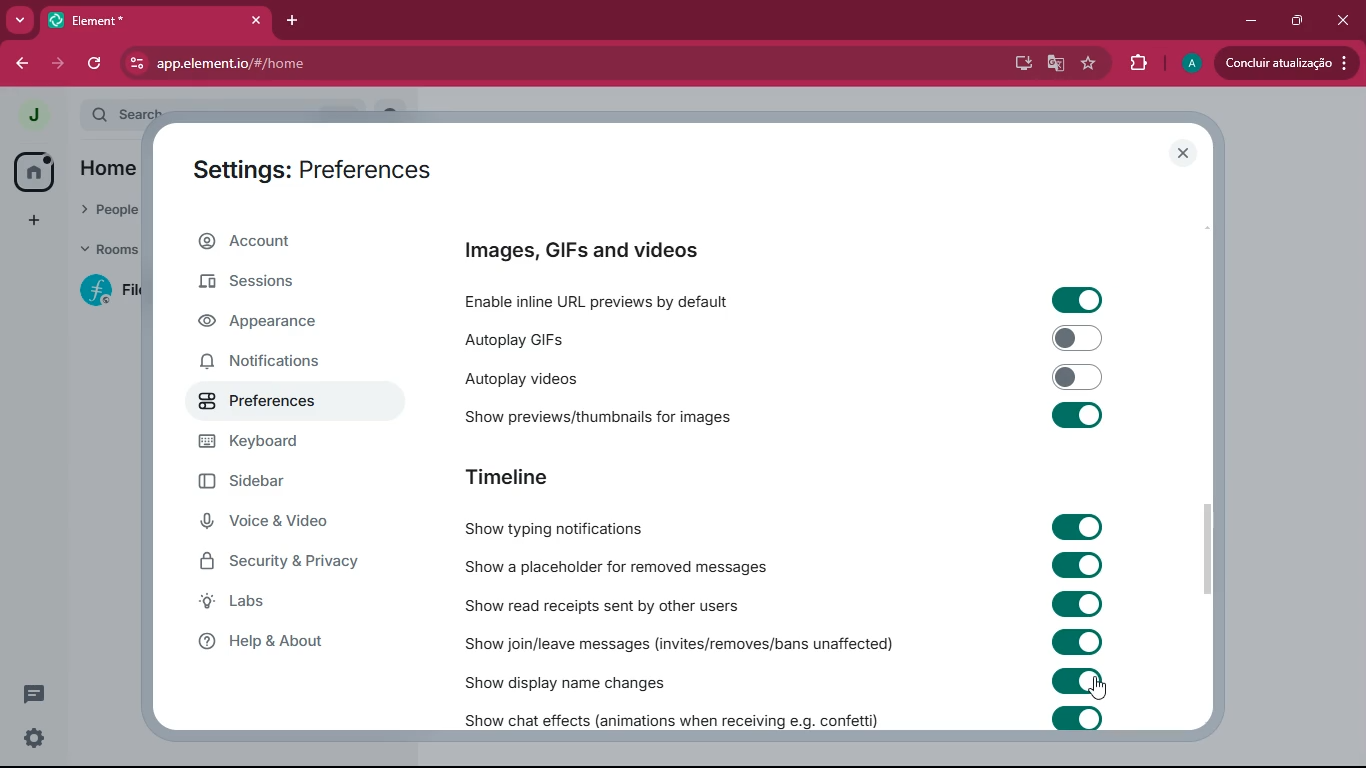 Image resolution: width=1366 pixels, height=768 pixels. Describe the element at coordinates (1192, 63) in the screenshot. I see `profile picture` at that location.